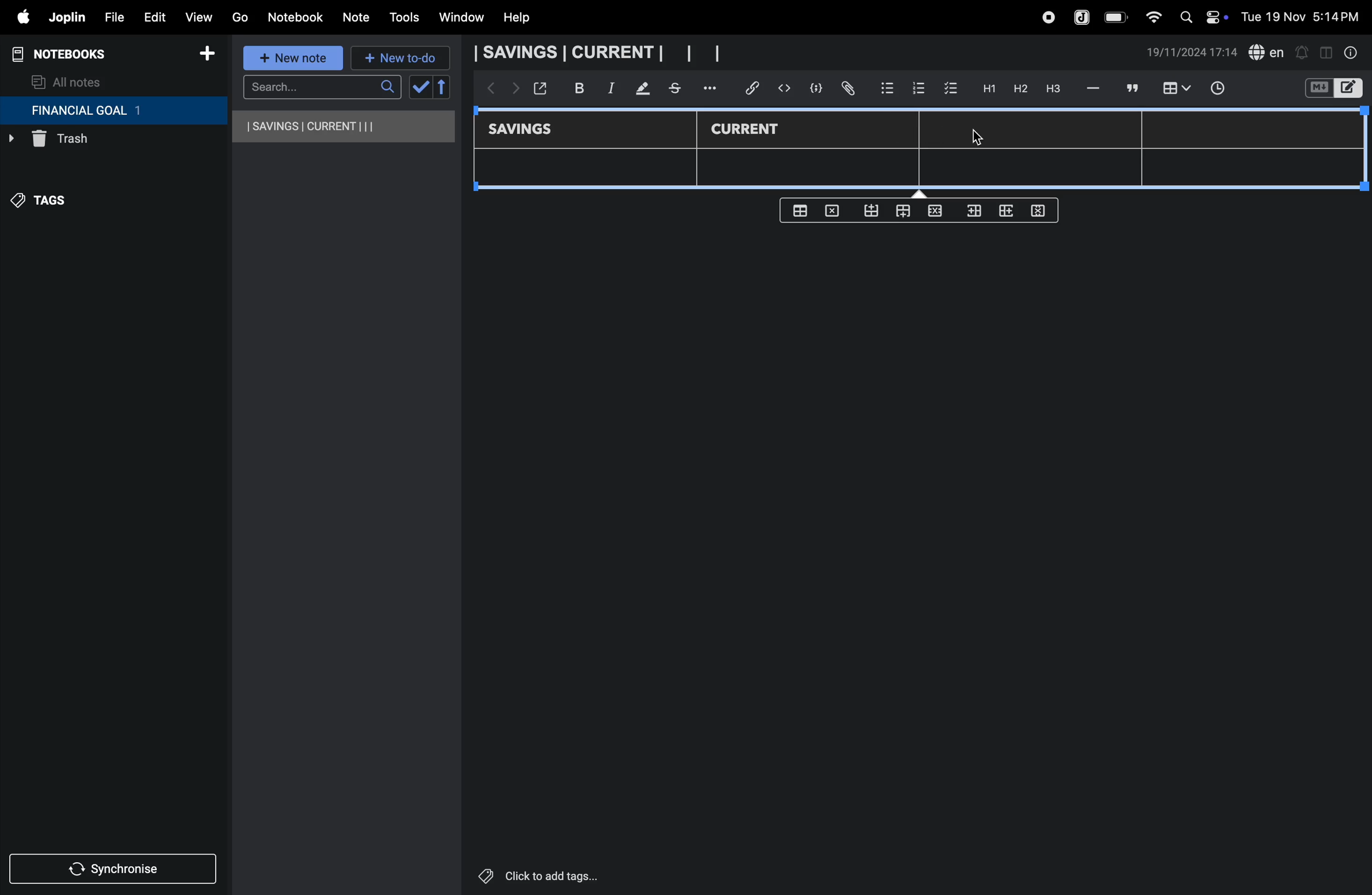  Describe the element at coordinates (1117, 17) in the screenshot. I see `battery` at that location.